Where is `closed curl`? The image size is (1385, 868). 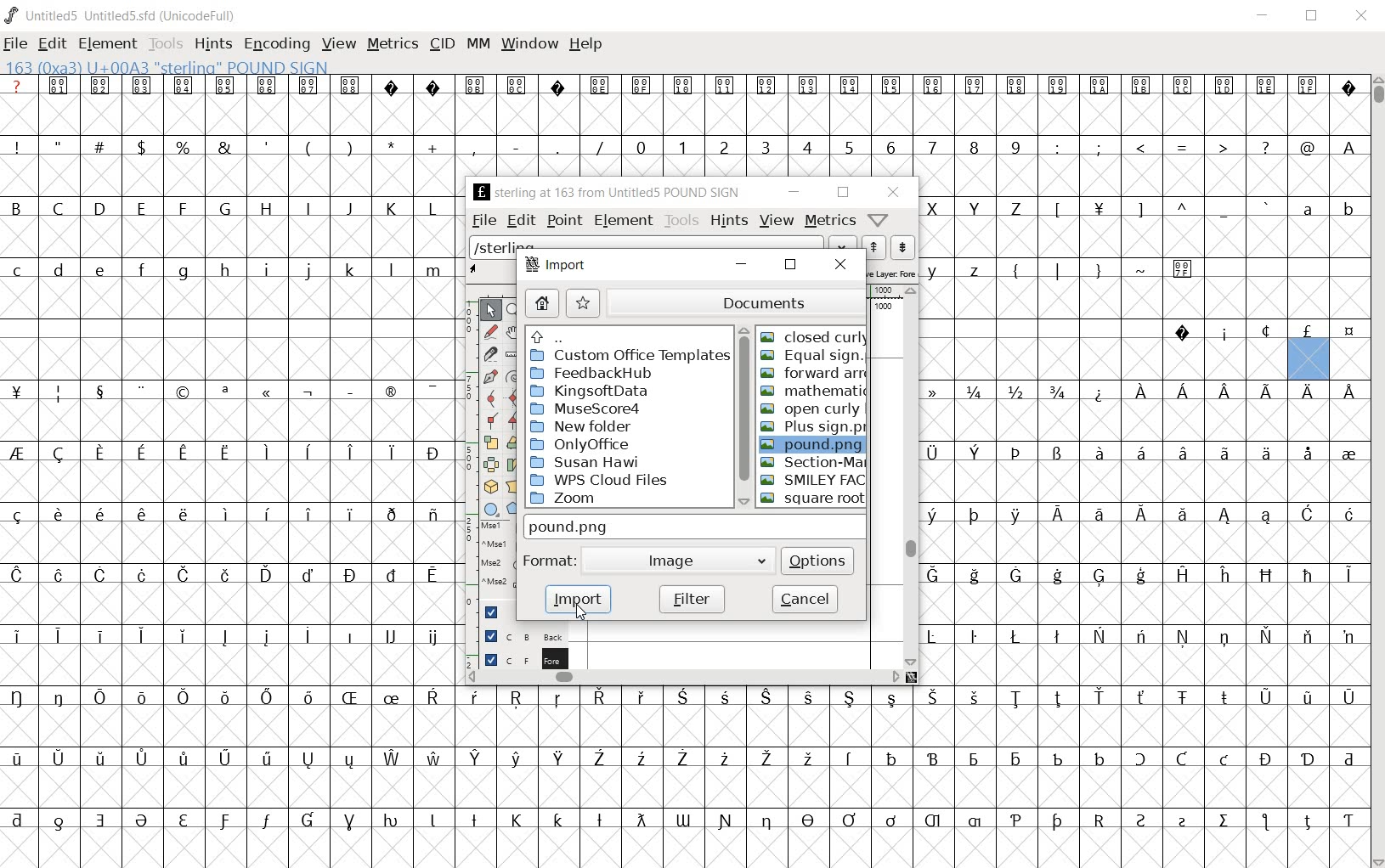
closed curl is located at coordinates (812, 336).